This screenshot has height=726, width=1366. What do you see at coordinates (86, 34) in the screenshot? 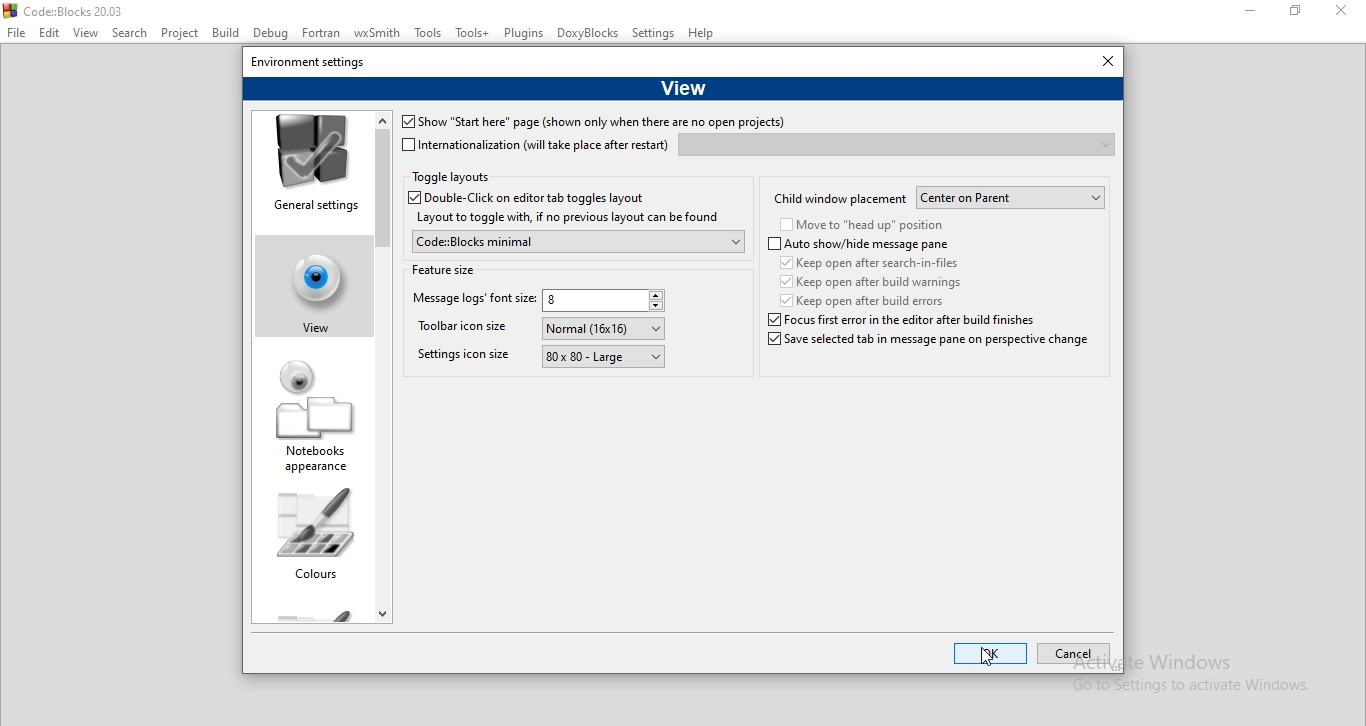
I see `View` at bounding box center [86, 34].